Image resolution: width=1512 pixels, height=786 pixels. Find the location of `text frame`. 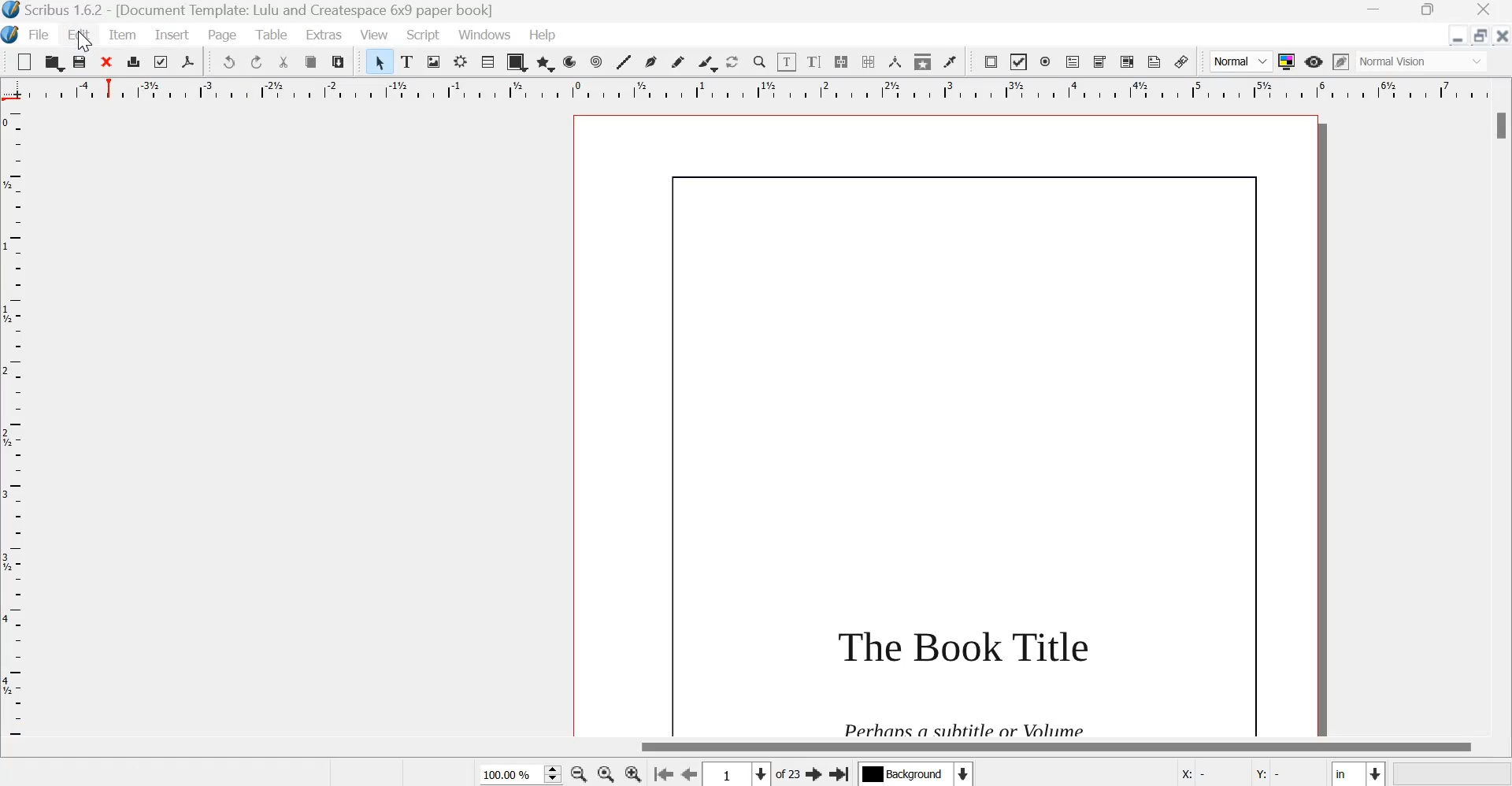

text frame is located at coordinates (407, 62).